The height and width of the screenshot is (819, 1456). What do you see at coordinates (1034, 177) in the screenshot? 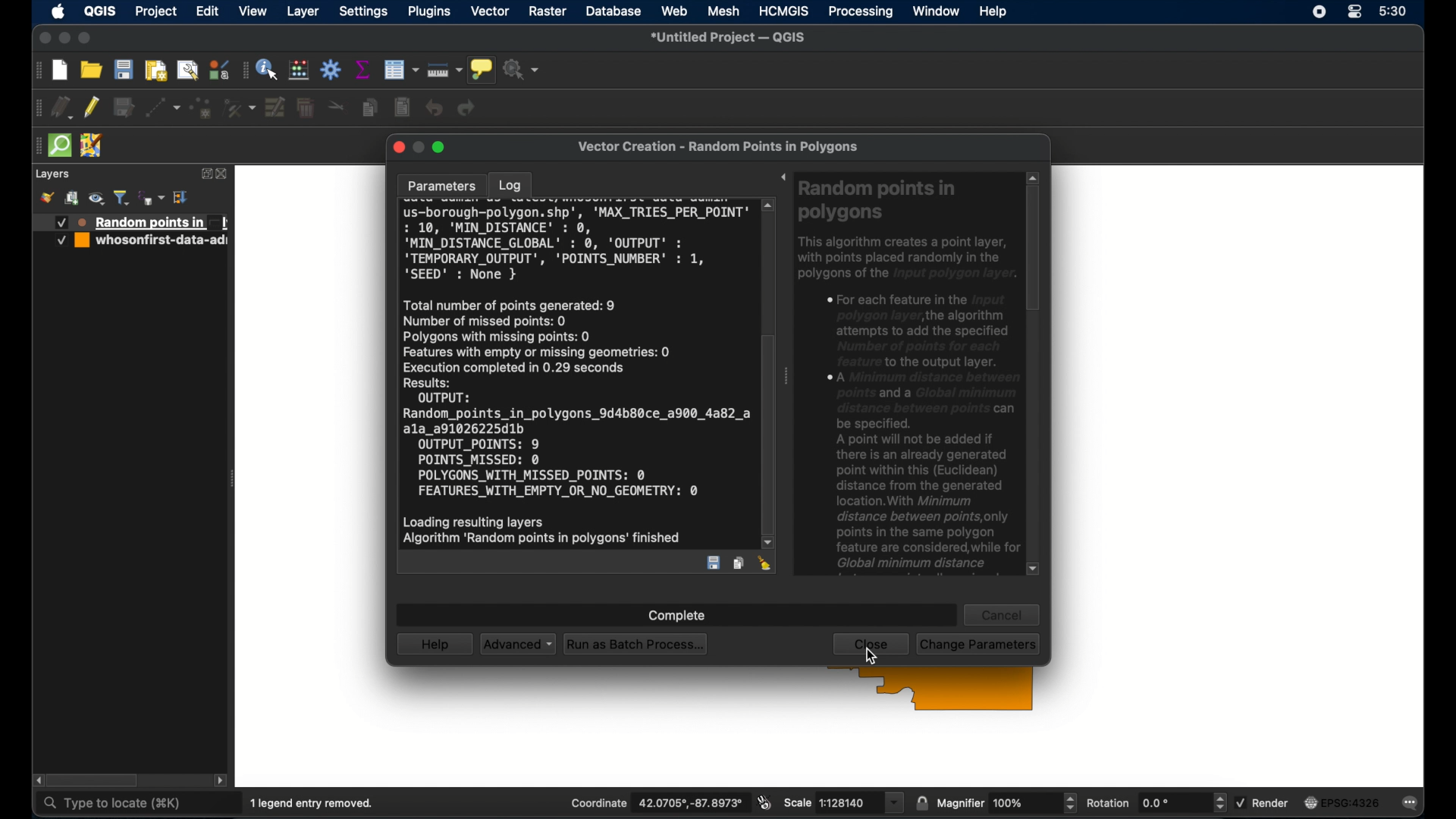
I see `scroll up arrow` at bounding box center [1034, 177].